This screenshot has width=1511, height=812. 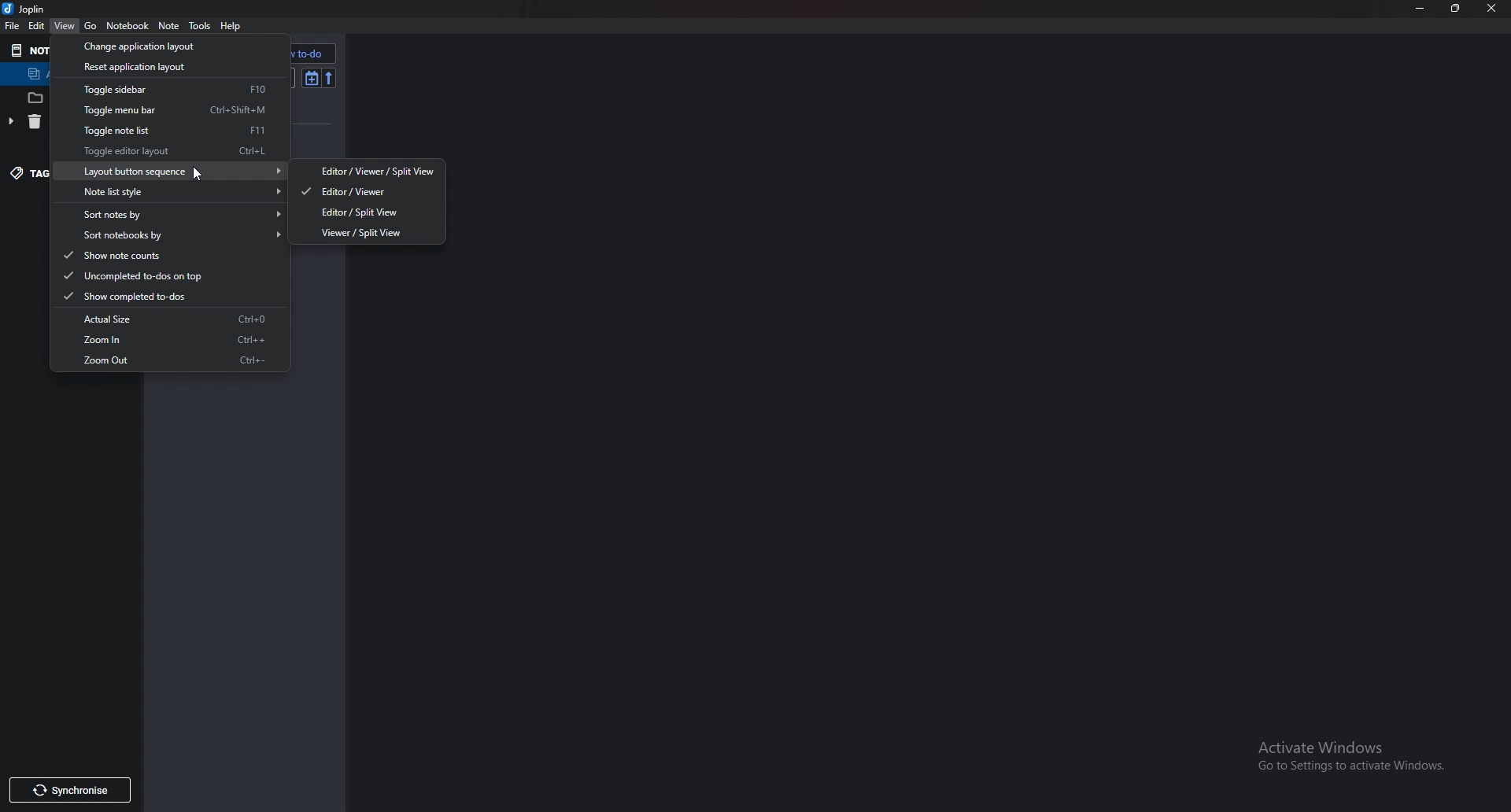 What do you see at coordinates (1490, 8) in the screenshot?
I see `Close` at bounding box center [1490, 8].